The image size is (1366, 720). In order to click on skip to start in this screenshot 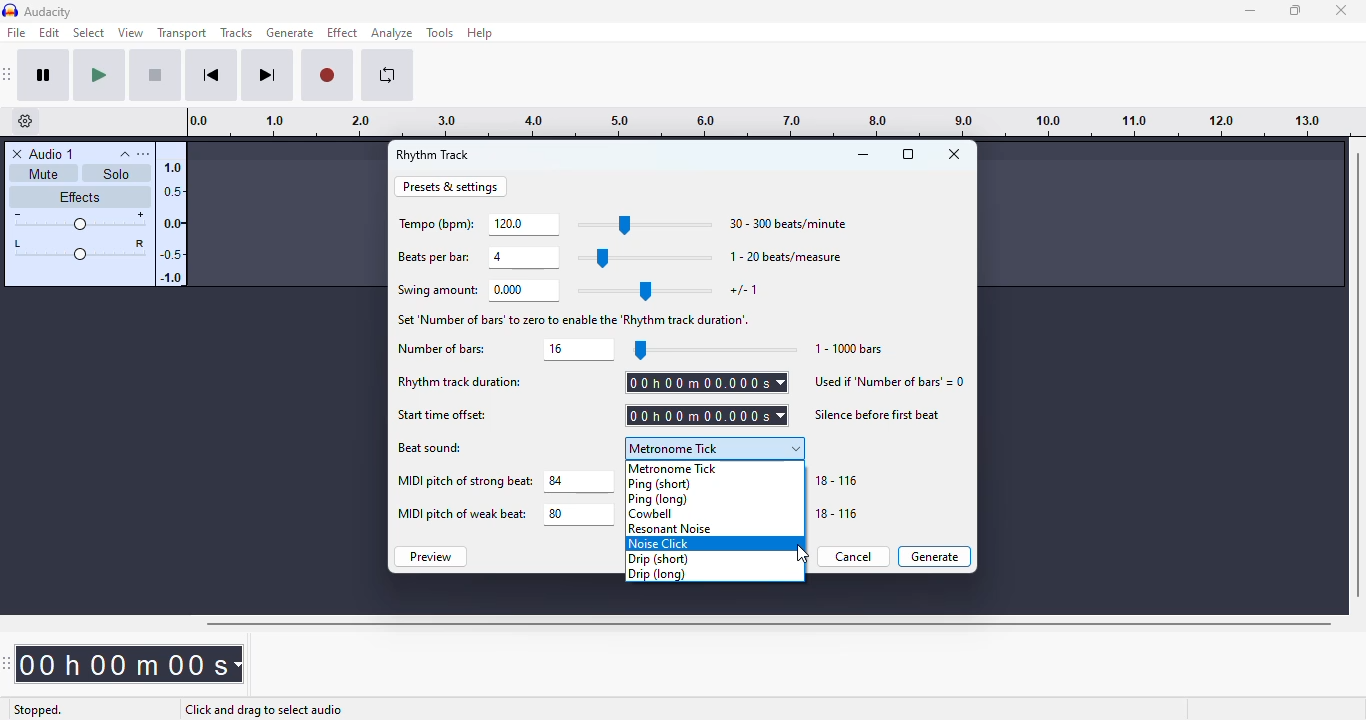, I will do `click(212, 75)`.